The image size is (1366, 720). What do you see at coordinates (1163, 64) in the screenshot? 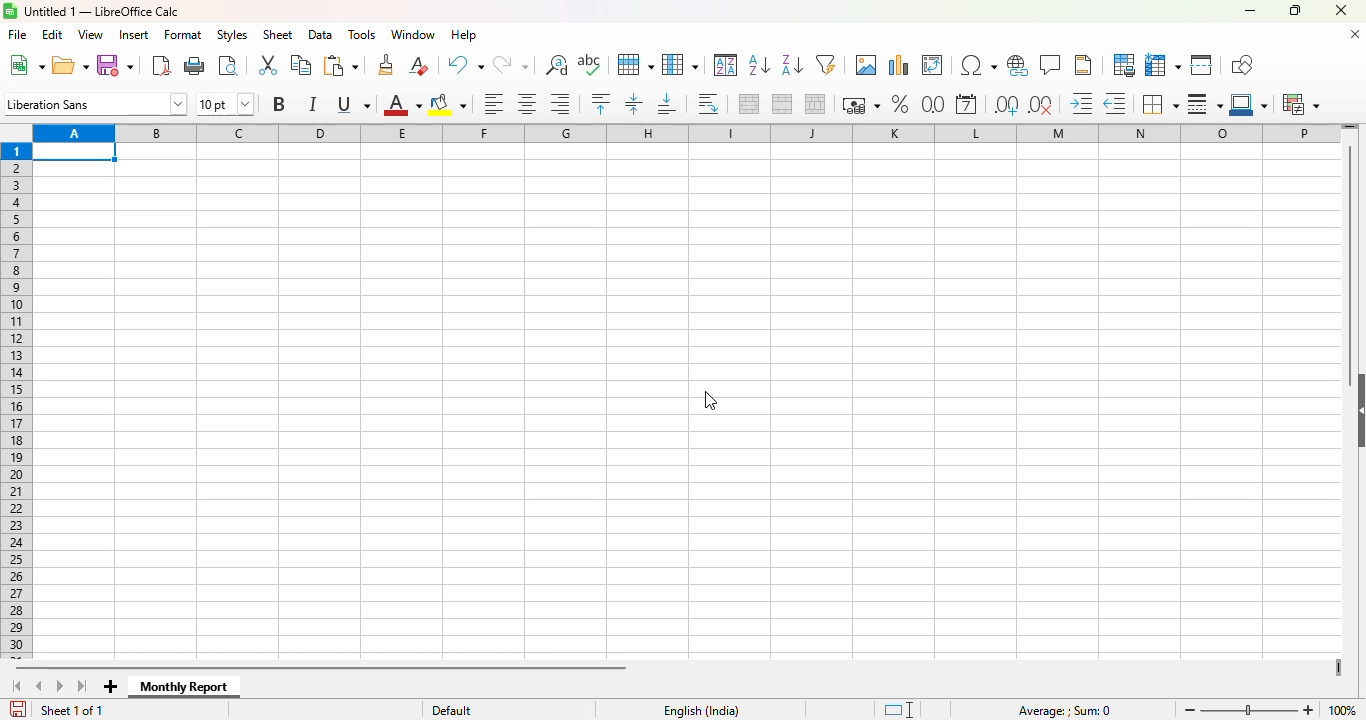
I see `freeze rows and columns` at bounding box center [1163, 64].